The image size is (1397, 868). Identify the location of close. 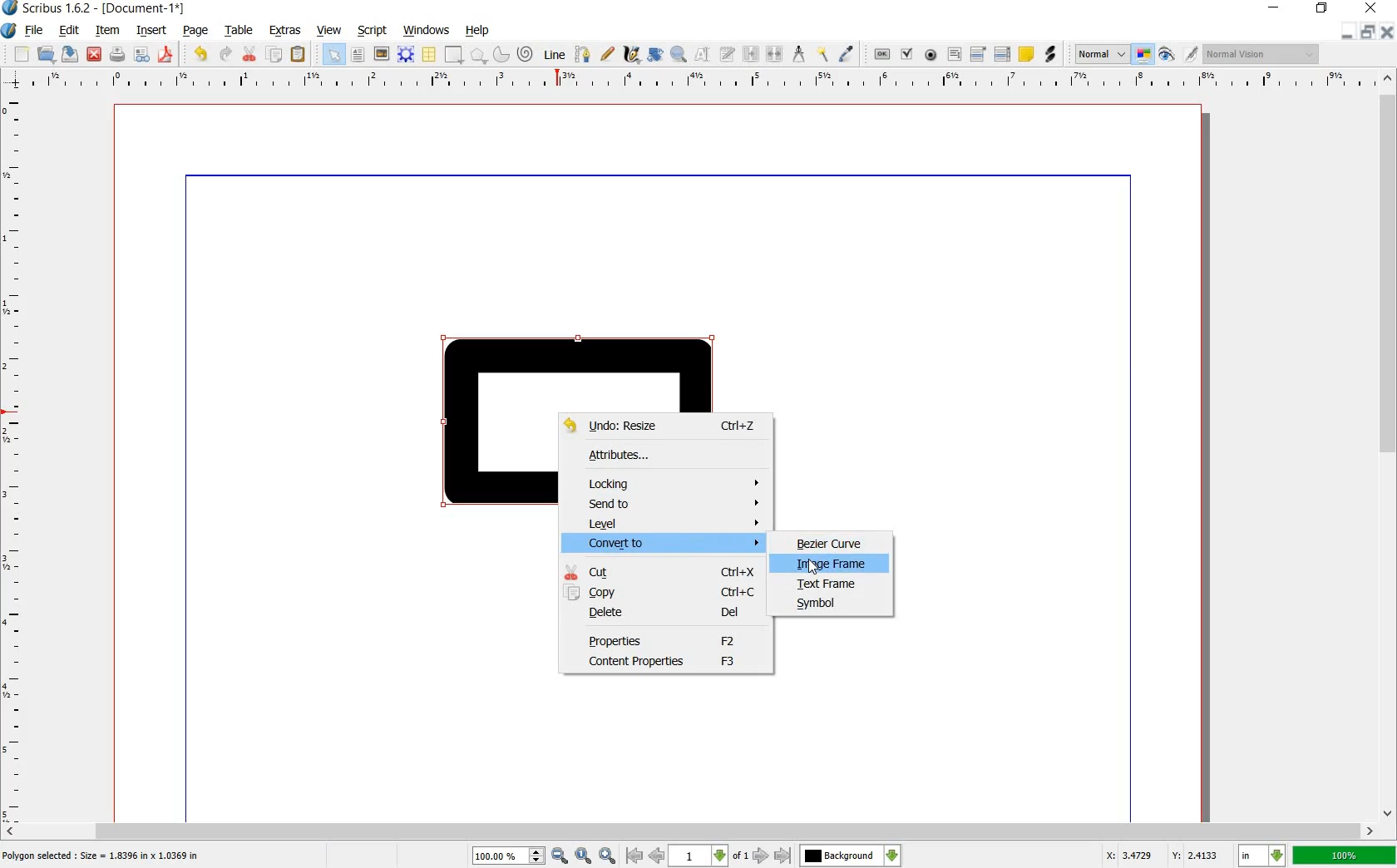
(1370, 8).